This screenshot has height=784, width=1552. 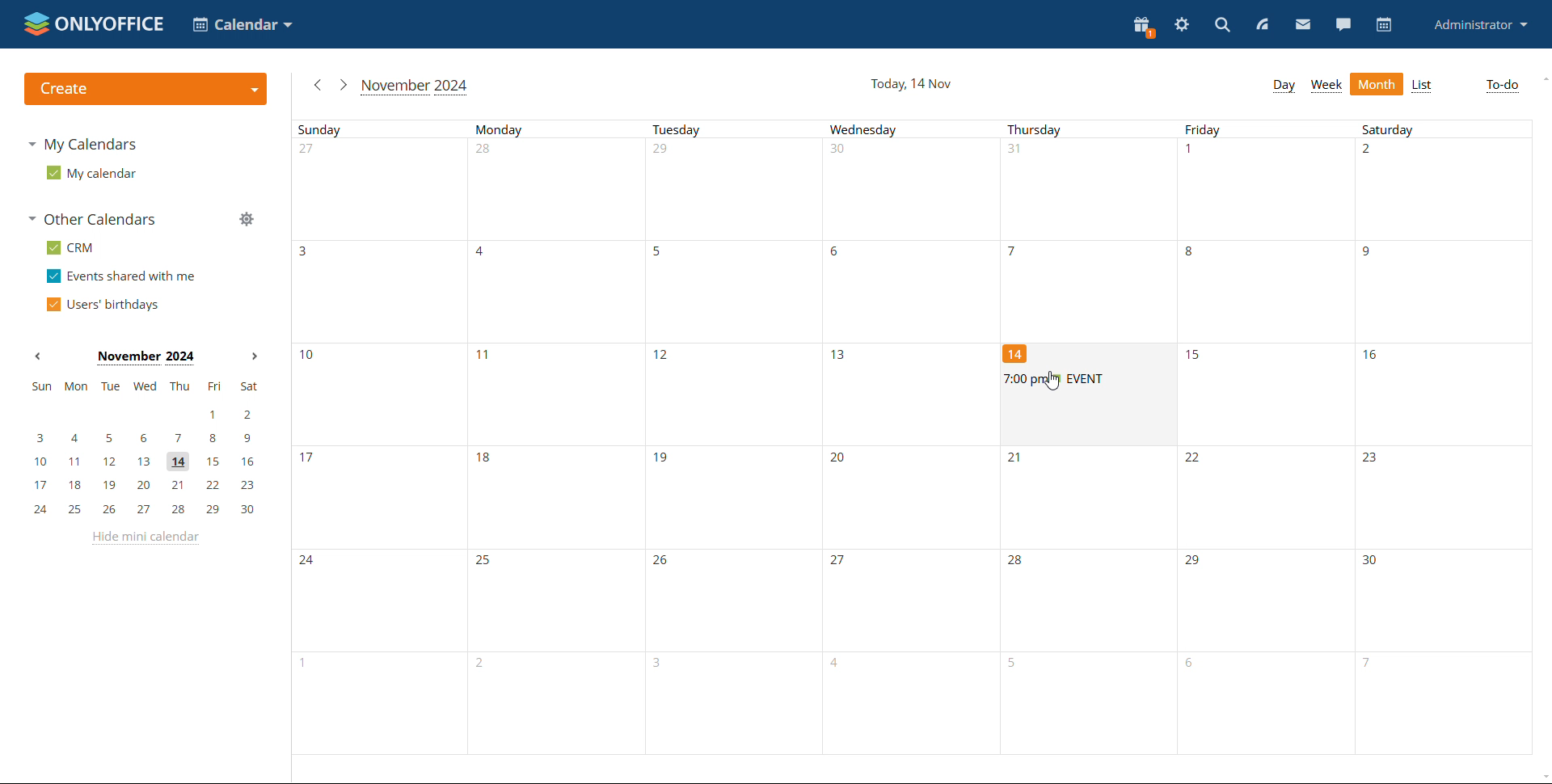 I want to click on number, so click(x=1194, y=664).